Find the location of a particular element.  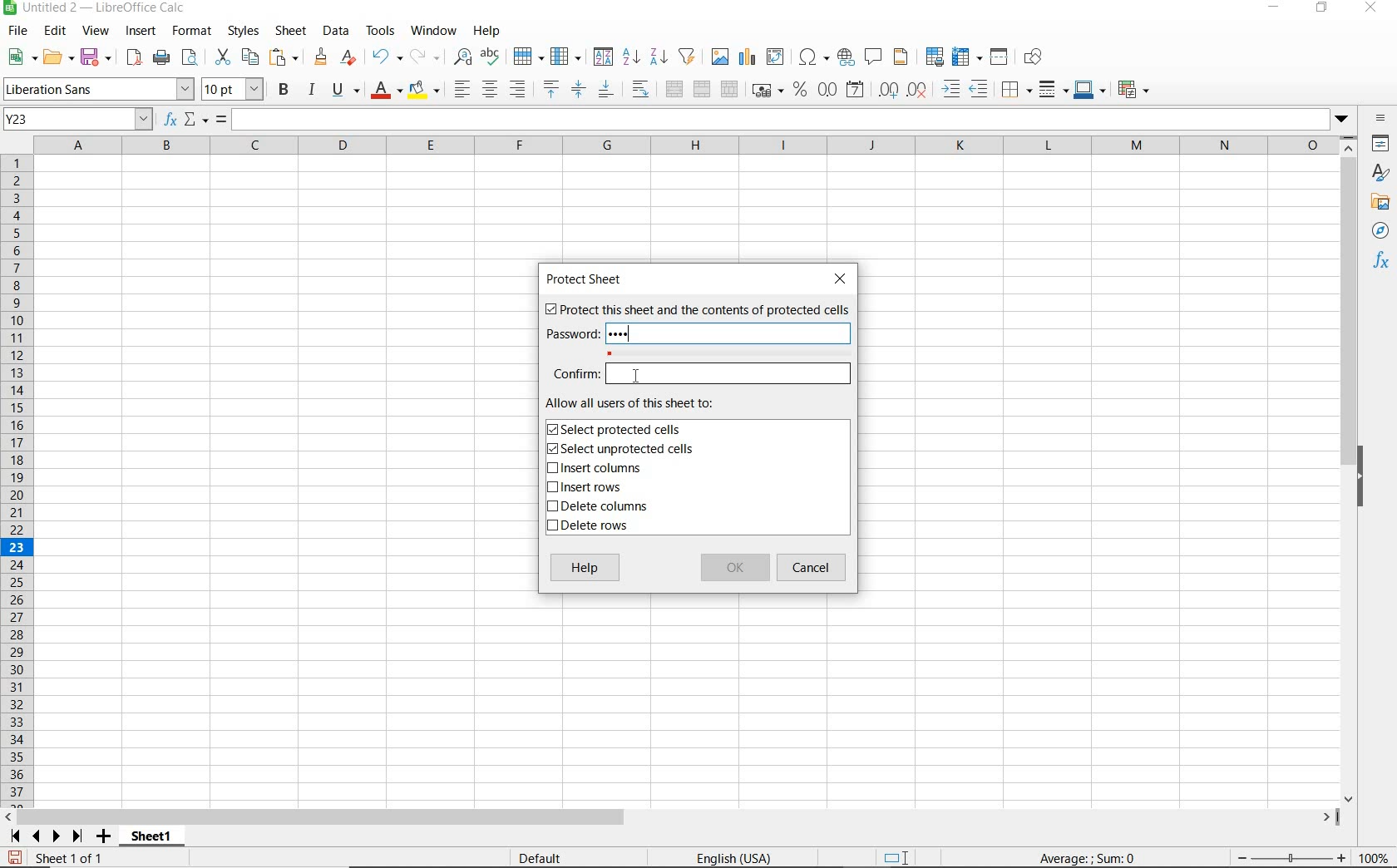

SCROLLBAR is located at coordinates (1349, 470).